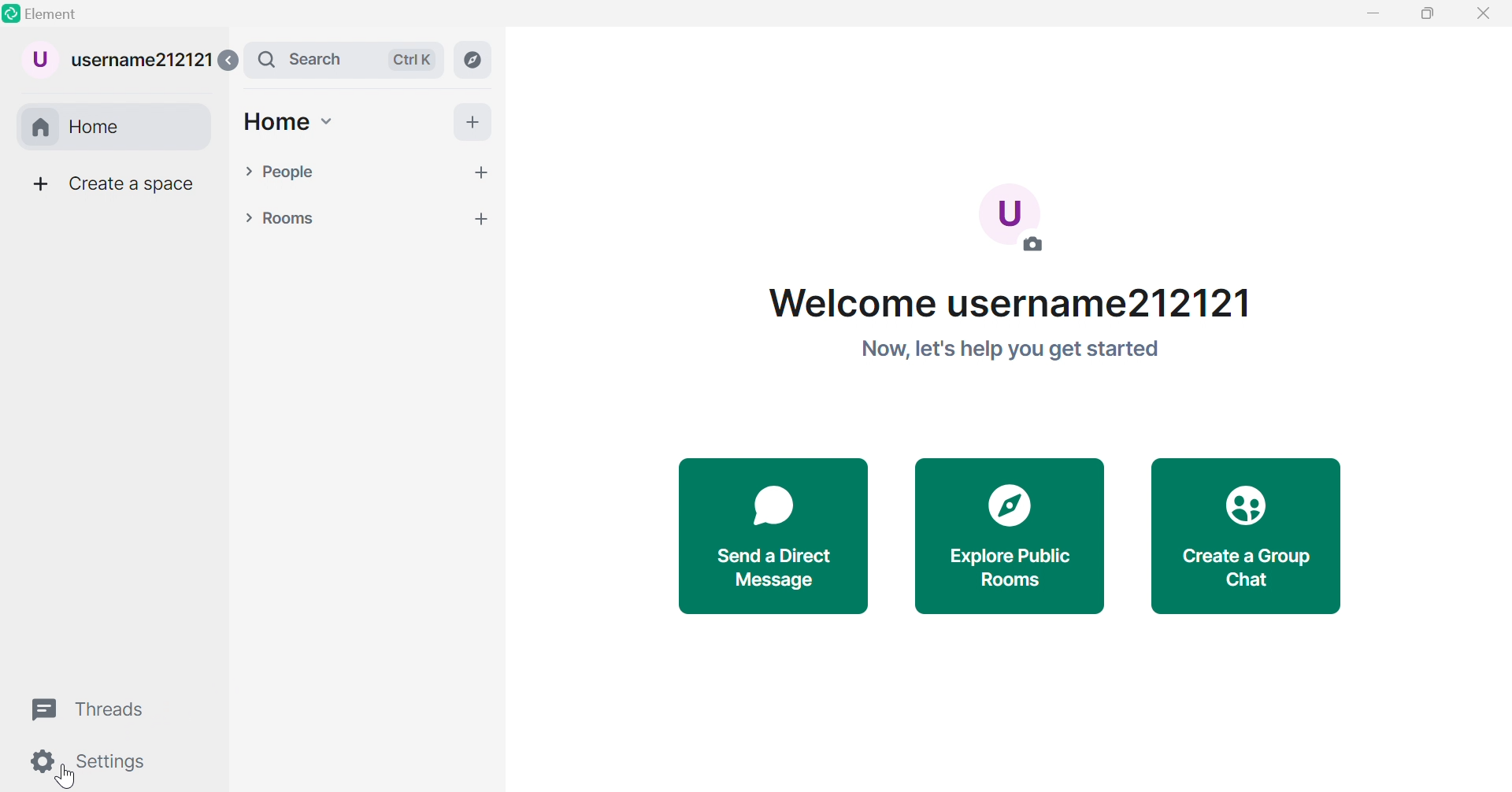 The height and width of the screenshot is (792, 1512). I want to click on Icon, so click(1013, 503).